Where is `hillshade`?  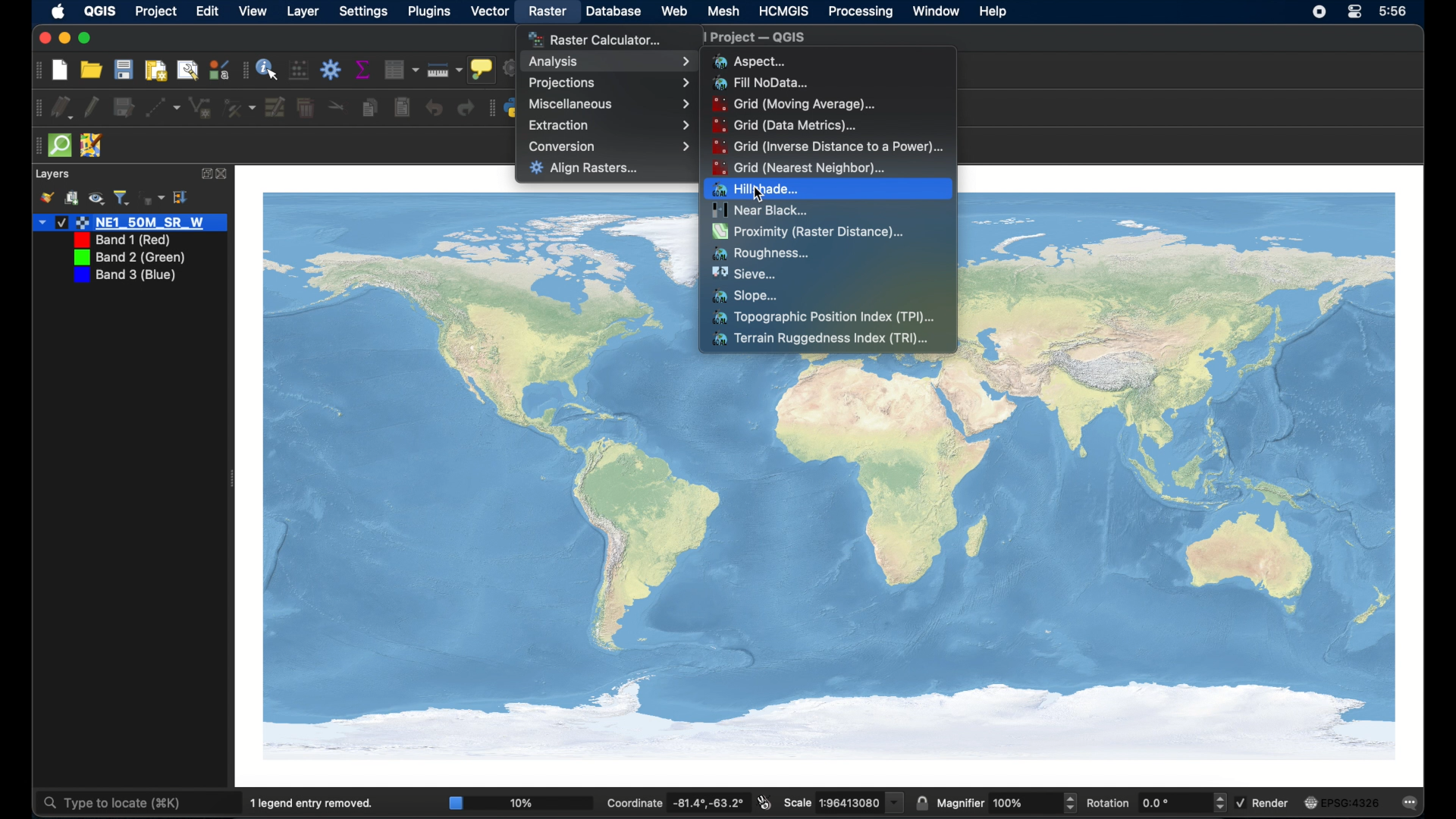
hillshade is located at coordinates (827, 189).